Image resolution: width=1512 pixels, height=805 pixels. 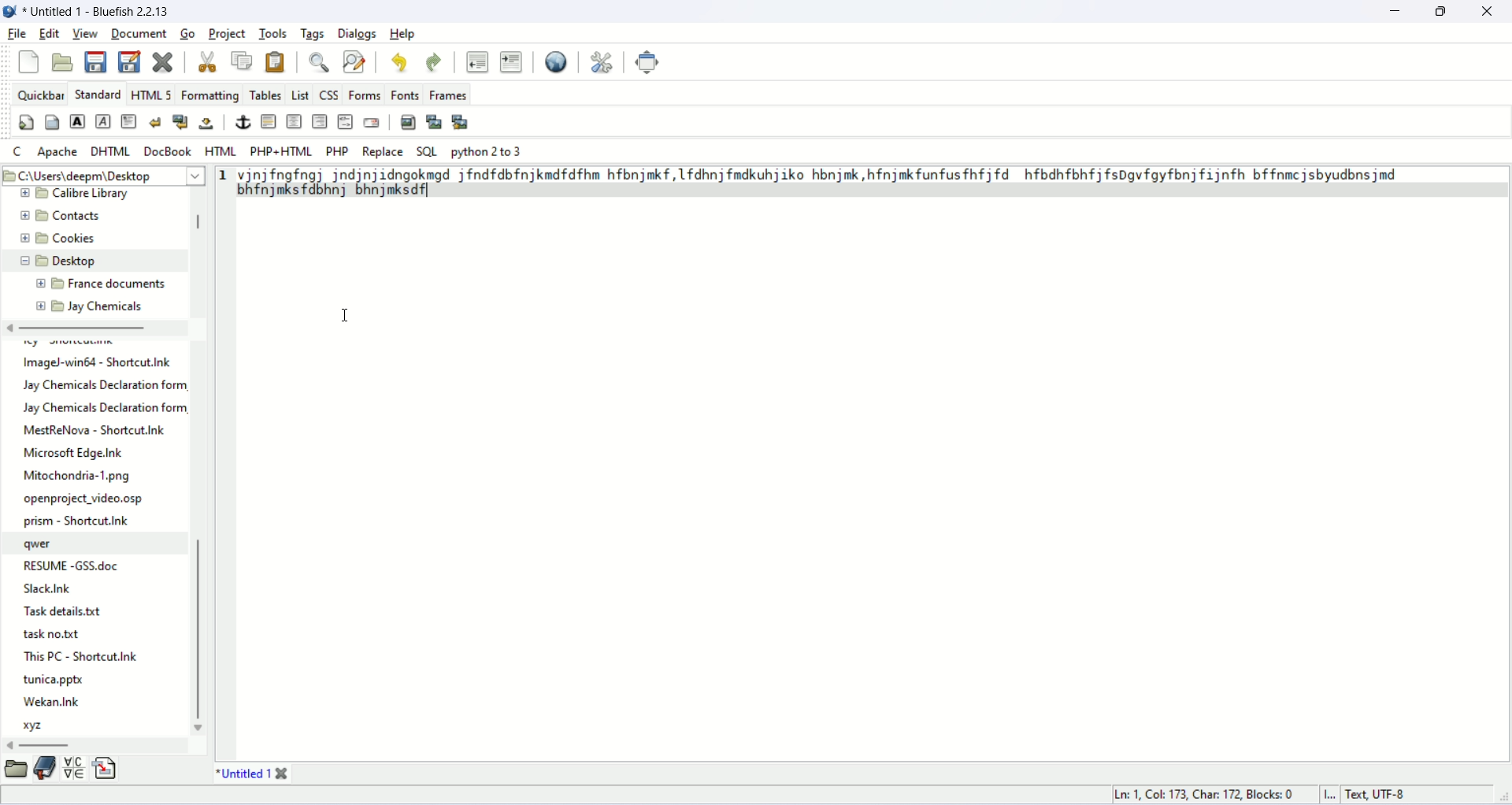 What do you see at coordinates (432, 63) in the screenshot?
I see `redo` at bounding box center [432, 63].